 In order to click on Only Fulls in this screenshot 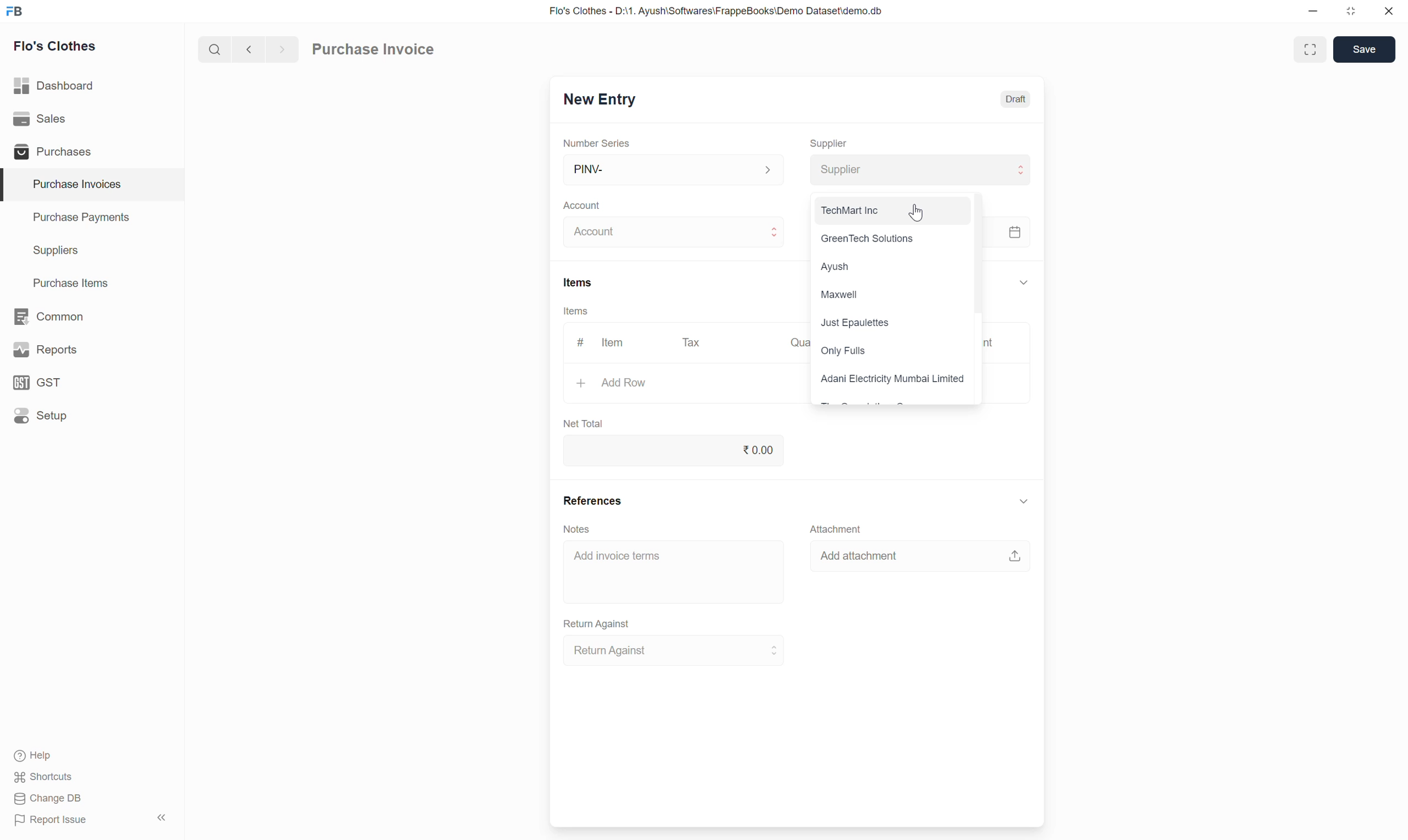, I will do `click(892, 350)`.